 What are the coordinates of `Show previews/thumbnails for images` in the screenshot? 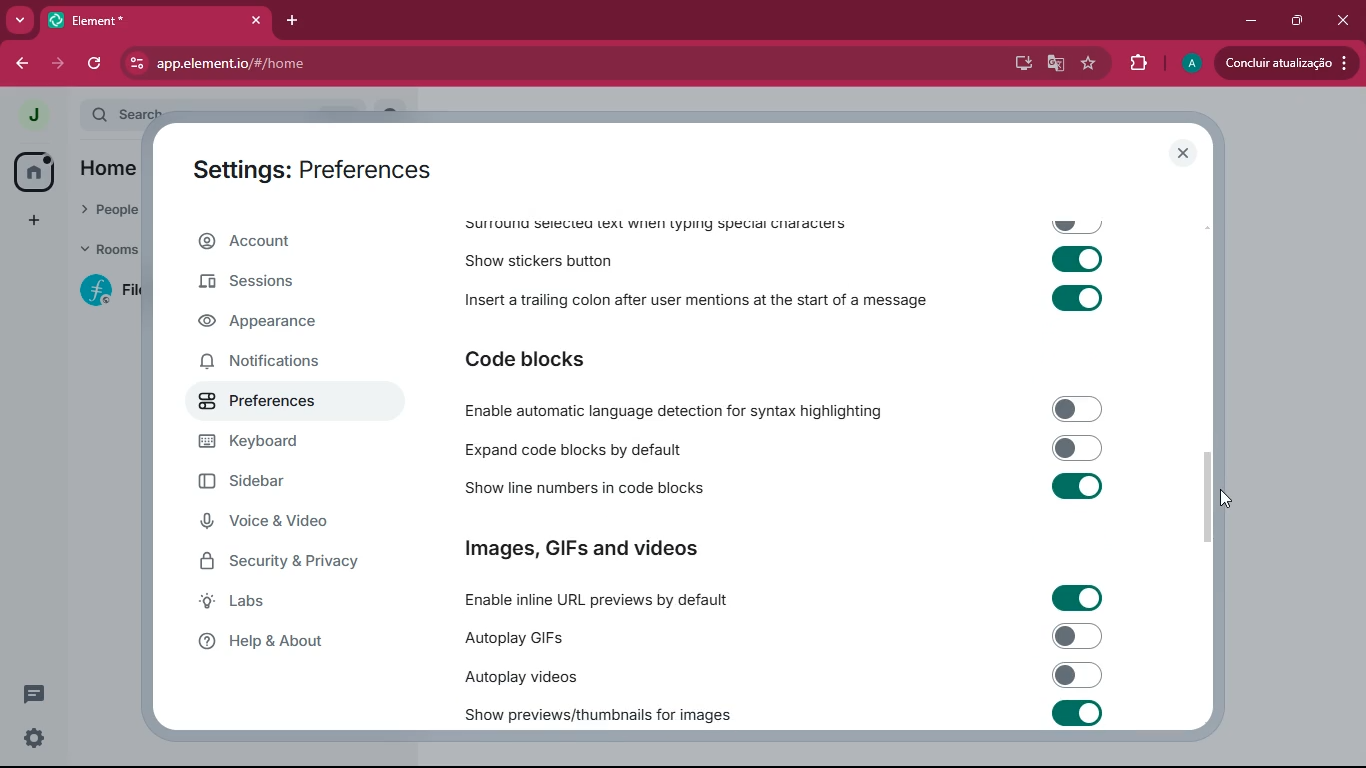 It's located at (786, 713).